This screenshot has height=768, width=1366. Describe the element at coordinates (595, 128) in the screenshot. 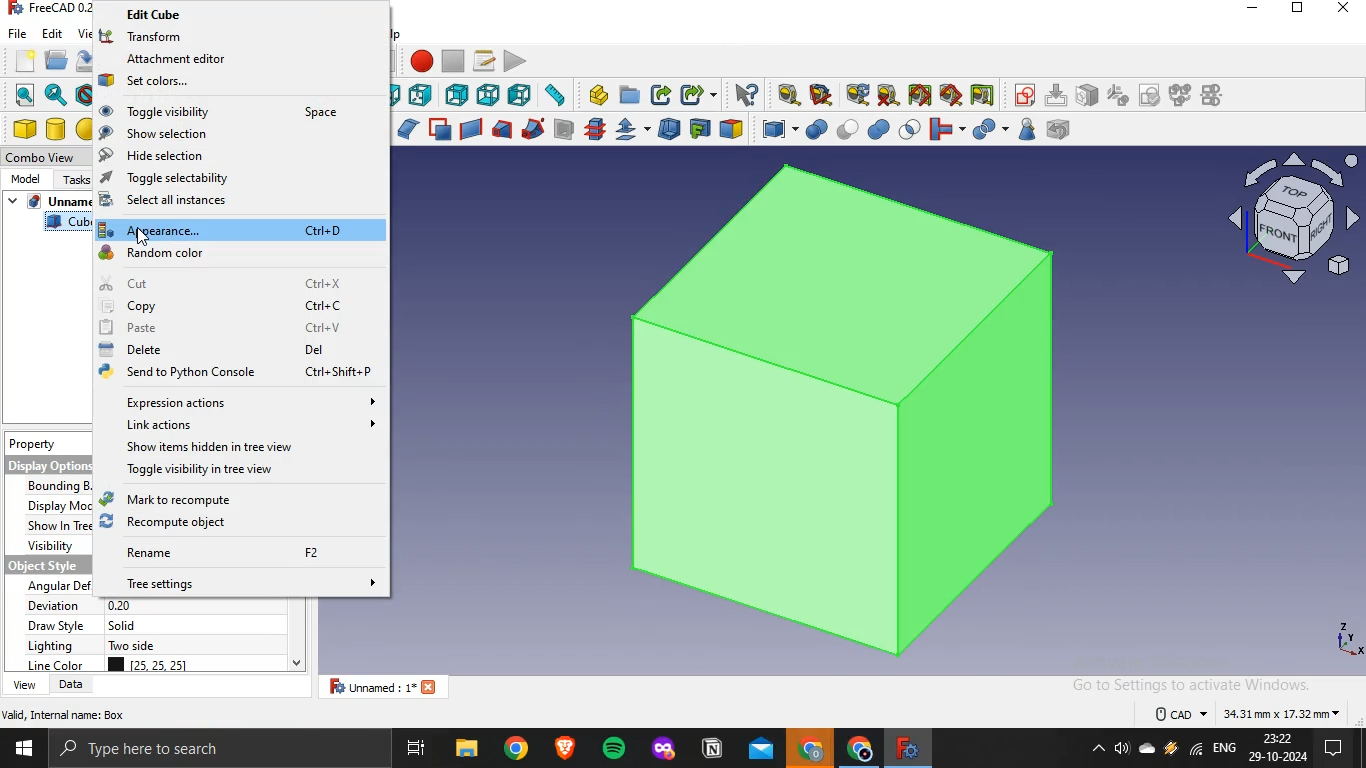

I see `crross section` at that location.